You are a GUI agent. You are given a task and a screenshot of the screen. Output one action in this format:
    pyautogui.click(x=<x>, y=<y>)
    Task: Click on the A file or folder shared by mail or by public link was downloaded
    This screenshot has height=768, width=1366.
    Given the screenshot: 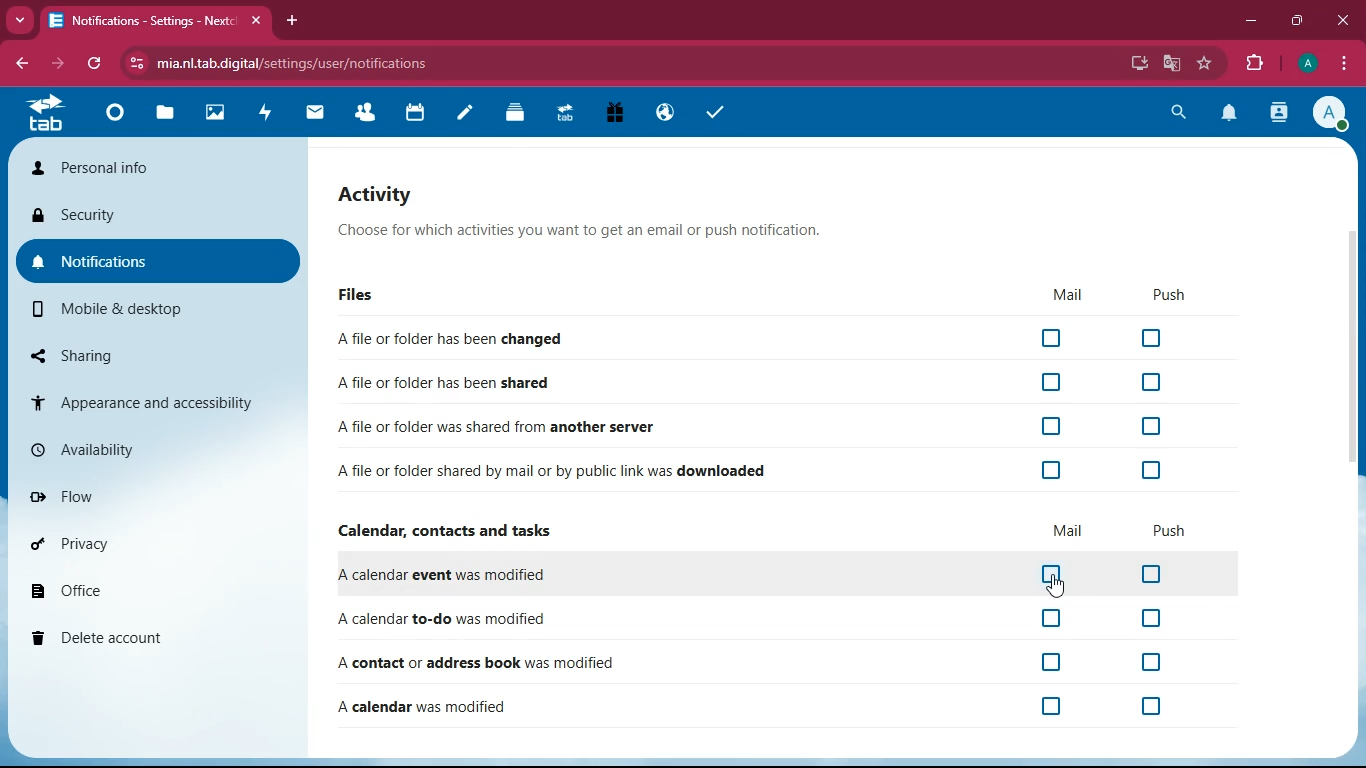 What is the action you would take?
    pyautogui.click(x=750, y=472)
    